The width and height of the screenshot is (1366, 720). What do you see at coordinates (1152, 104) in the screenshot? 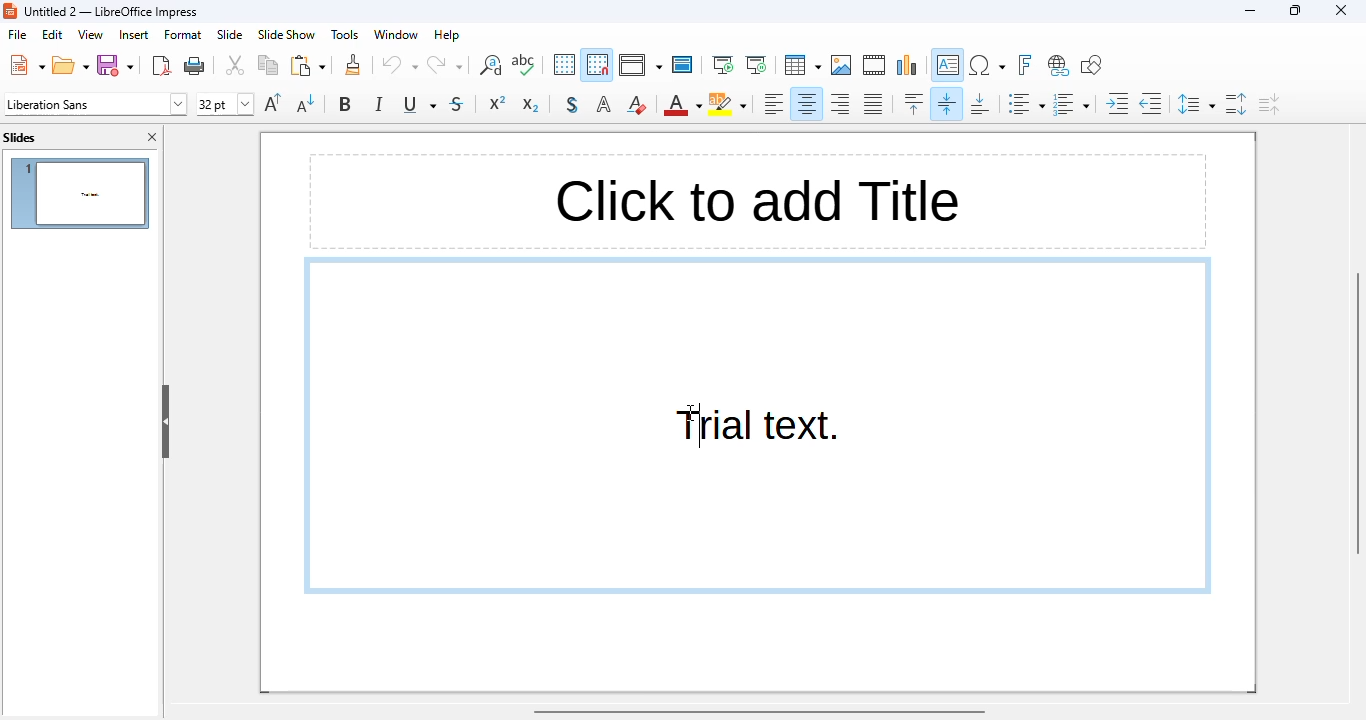
I see `decrease indent` at bounding box center [1152, 104].